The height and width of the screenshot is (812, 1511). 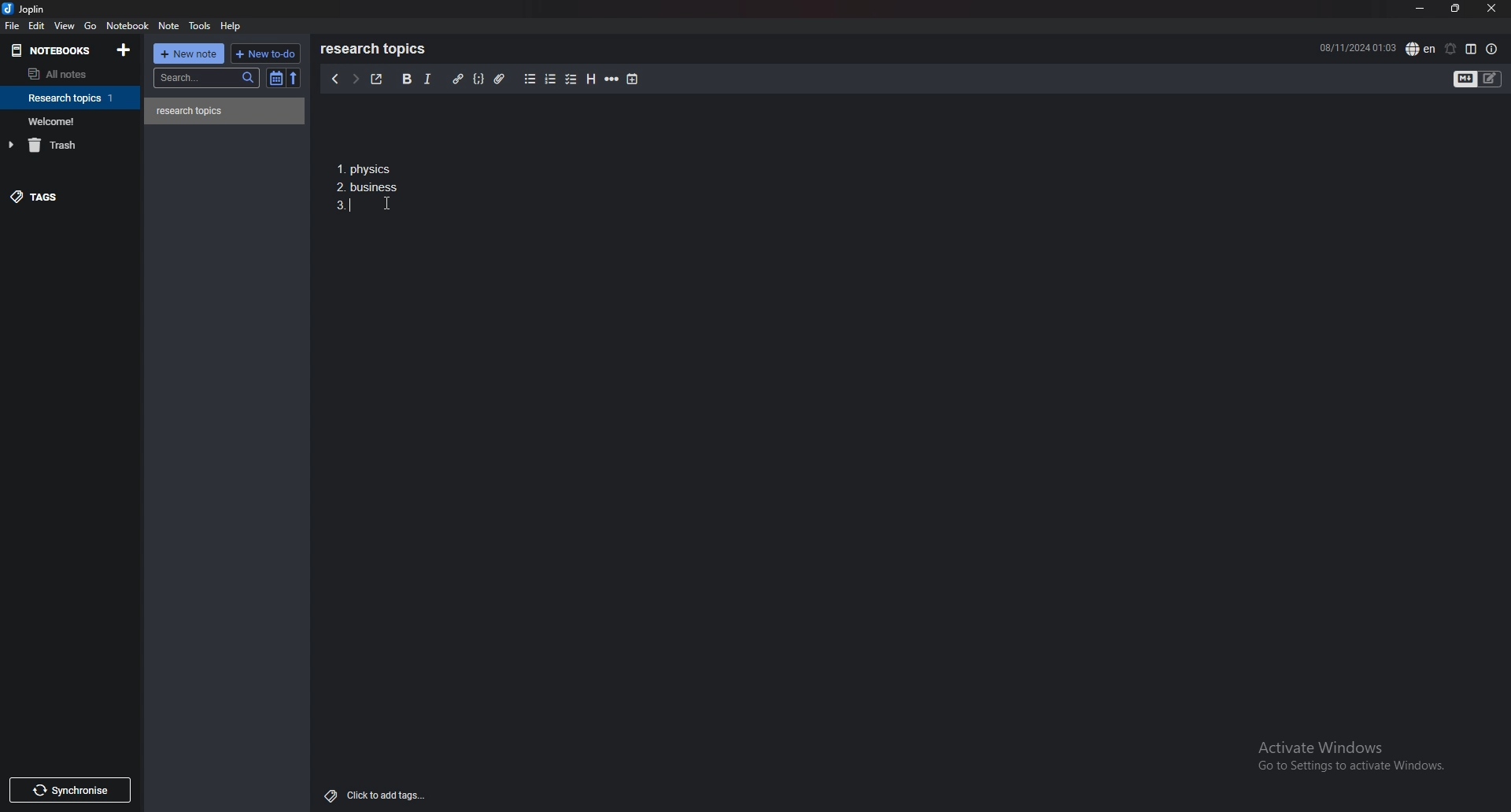 I want to click on new todo, so click(x=265, y=53).